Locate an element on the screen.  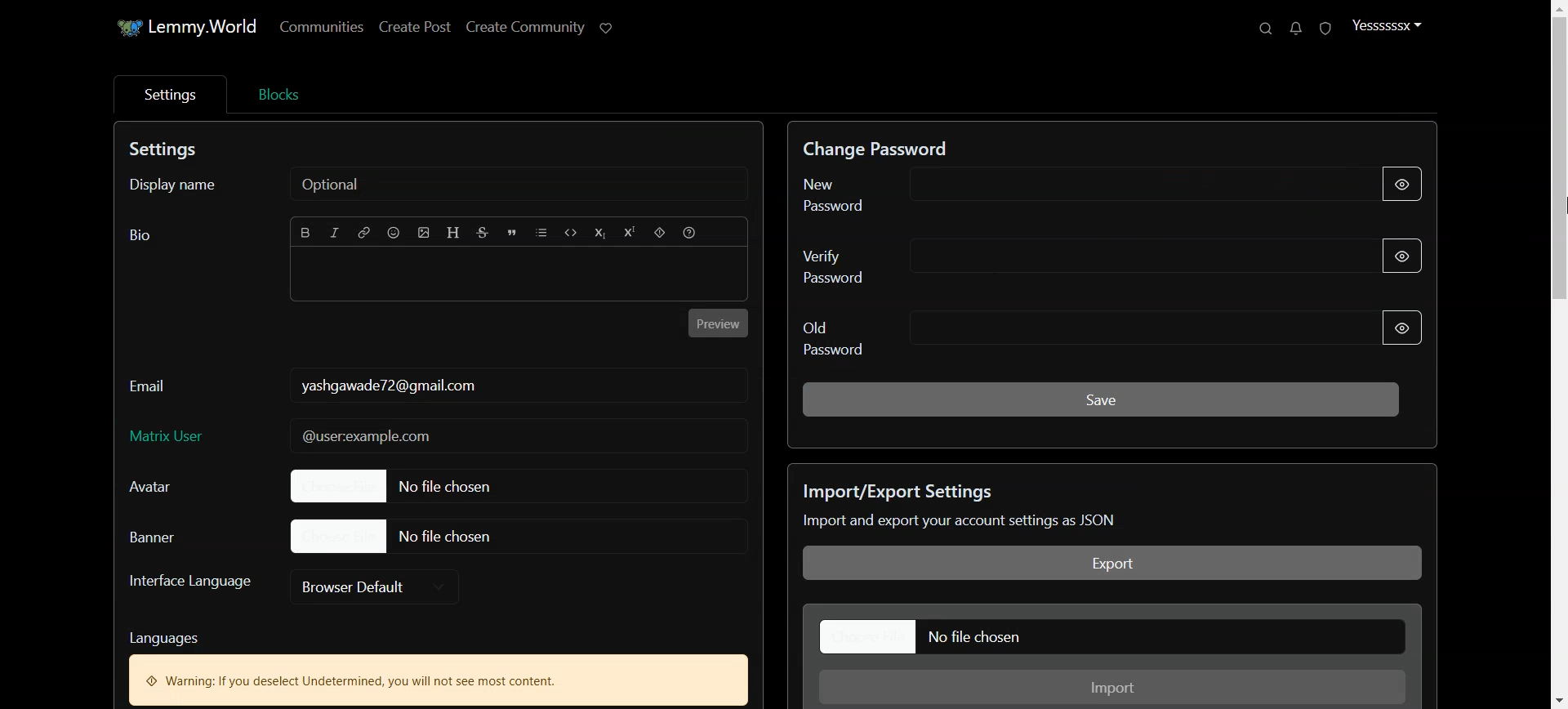
Banner is located at coordinates (164, 535).